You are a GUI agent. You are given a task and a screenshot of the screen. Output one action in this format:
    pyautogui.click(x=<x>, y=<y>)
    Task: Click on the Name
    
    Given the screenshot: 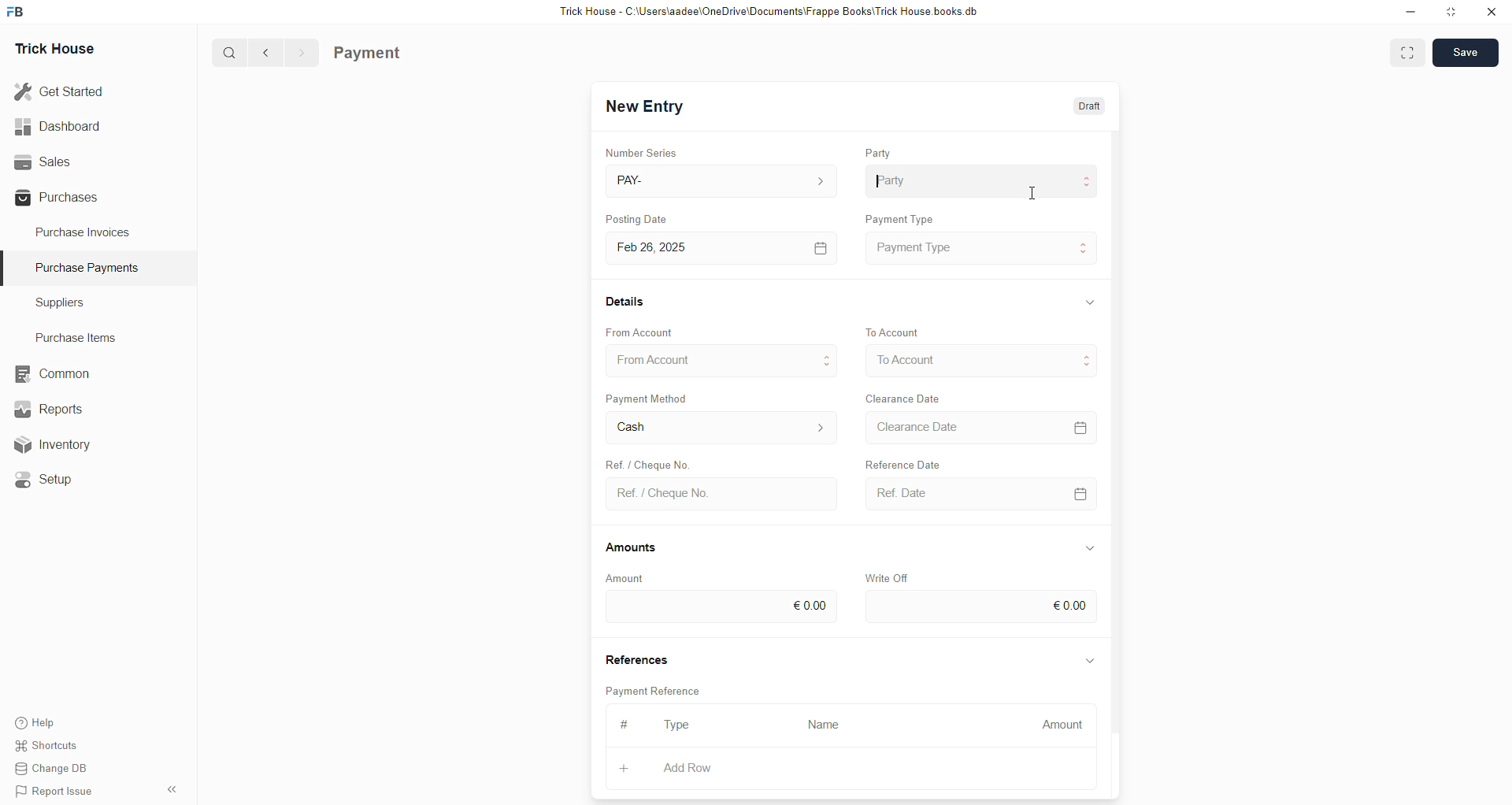 What is the action you would take?
    pyautogui.click(x=824, y=725)
    